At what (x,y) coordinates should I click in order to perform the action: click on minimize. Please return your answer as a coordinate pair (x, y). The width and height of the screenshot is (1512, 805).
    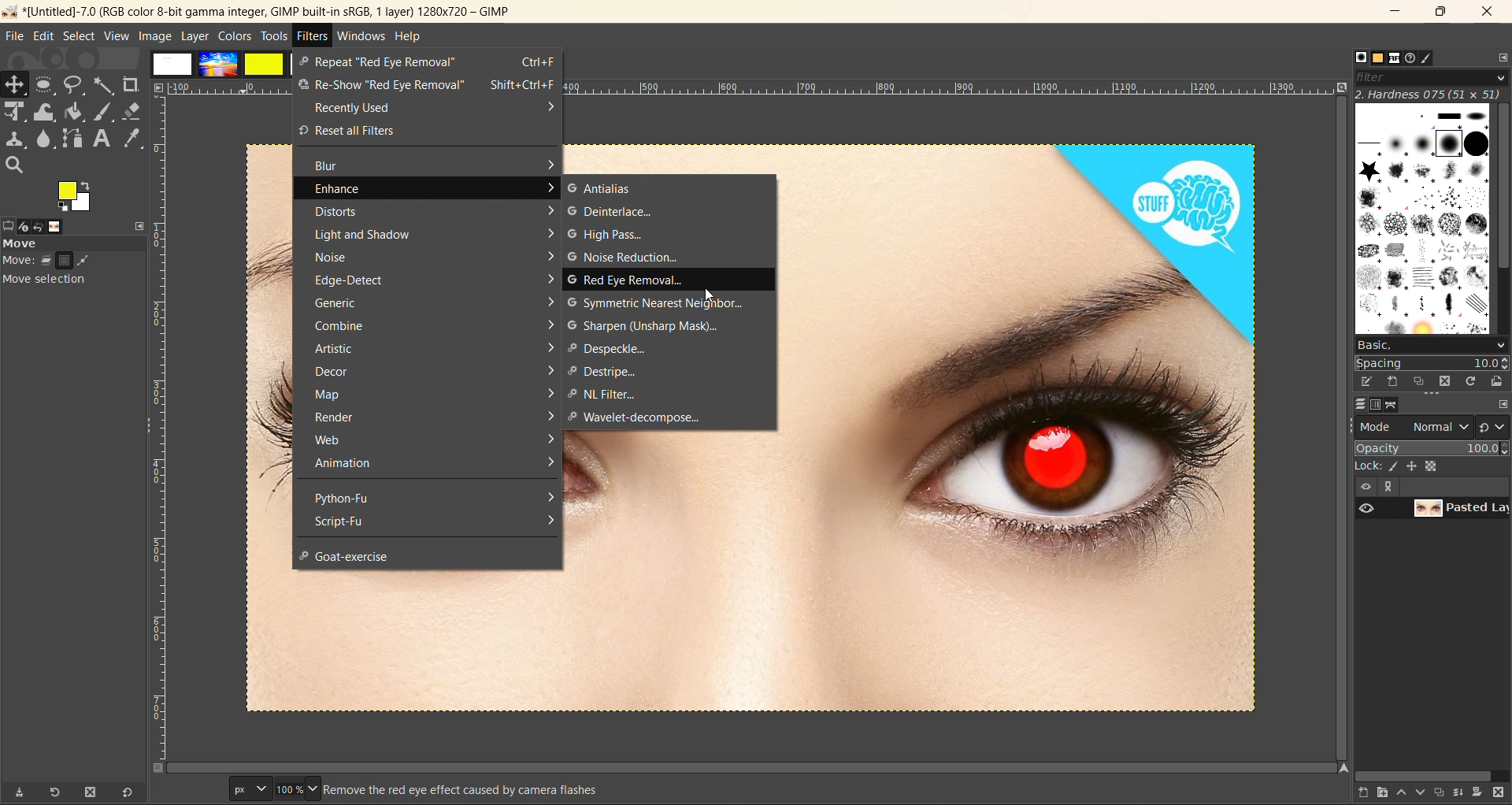
    Looking at the image, I should click on (1392, 13).